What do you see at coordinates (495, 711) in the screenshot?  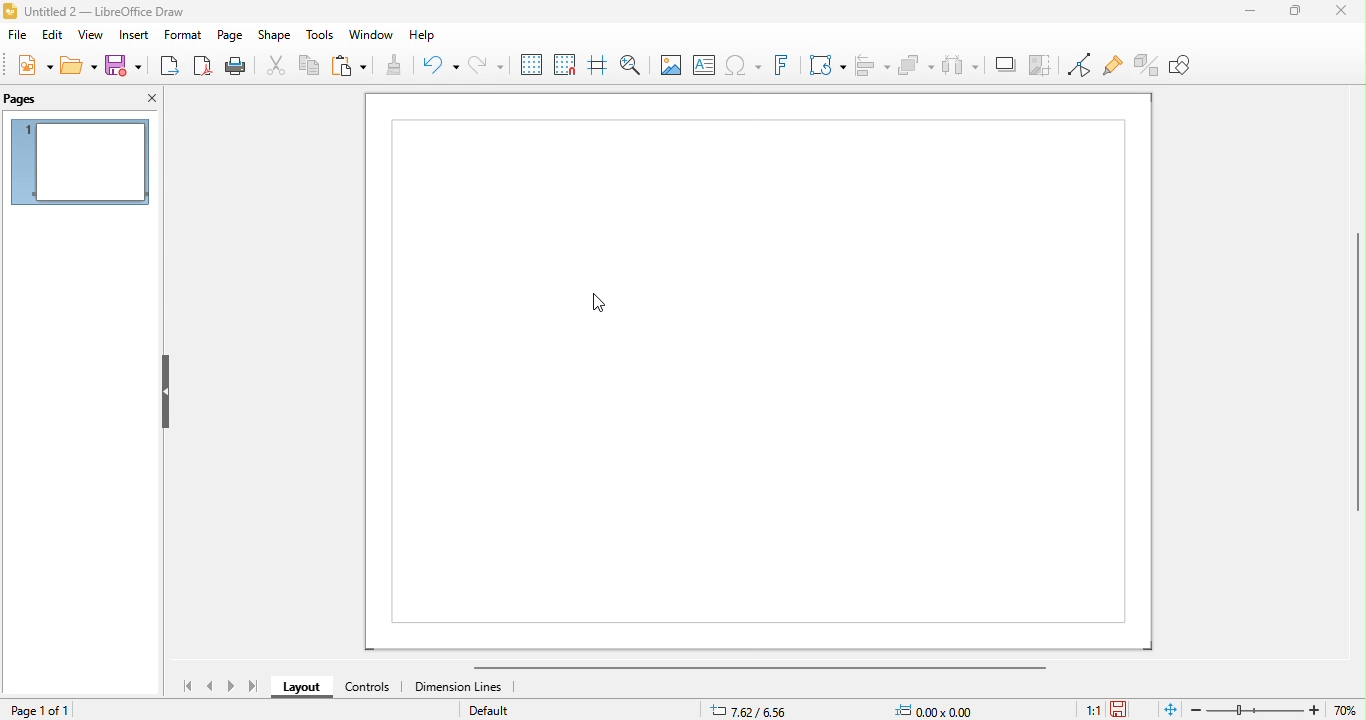 I see `default` at bounding box center [495, 711].